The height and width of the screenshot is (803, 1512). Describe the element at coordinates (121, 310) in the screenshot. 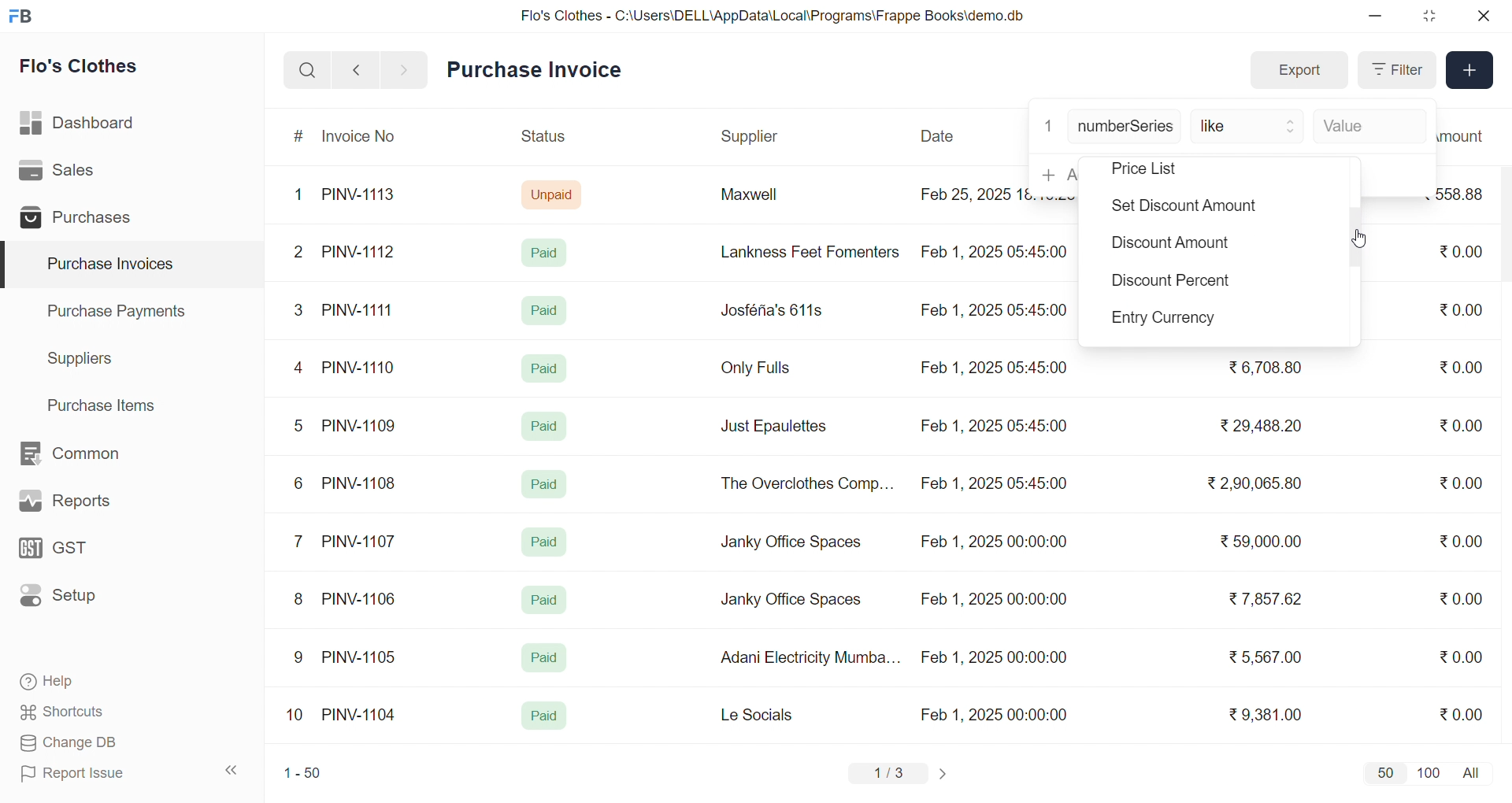

I see `Purchase Payments` at that location.